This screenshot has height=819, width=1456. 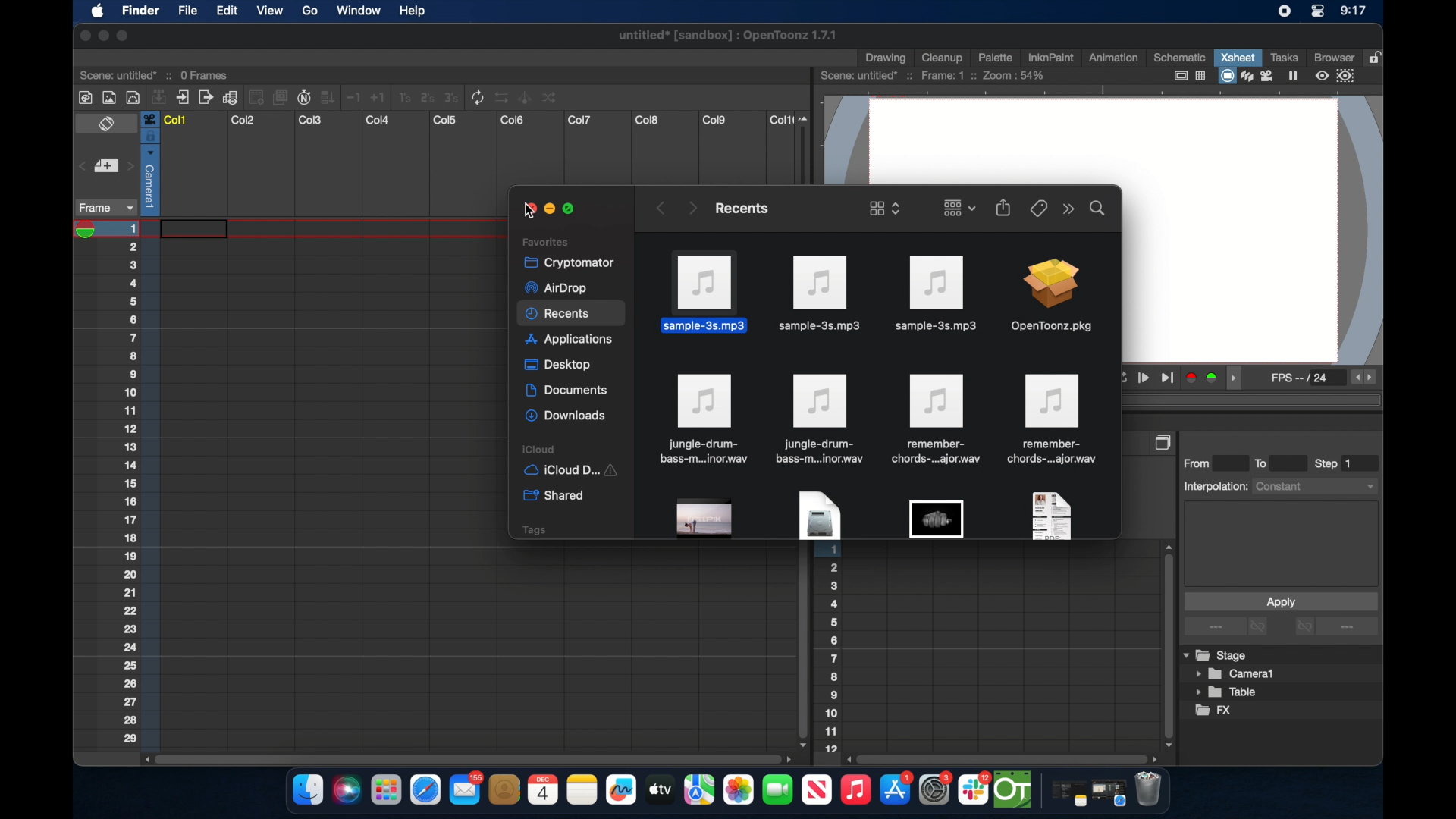 What do you see at coordinates (1165, 442) in the screenshot?
I see `copy` at bounding box center [1165, 442].